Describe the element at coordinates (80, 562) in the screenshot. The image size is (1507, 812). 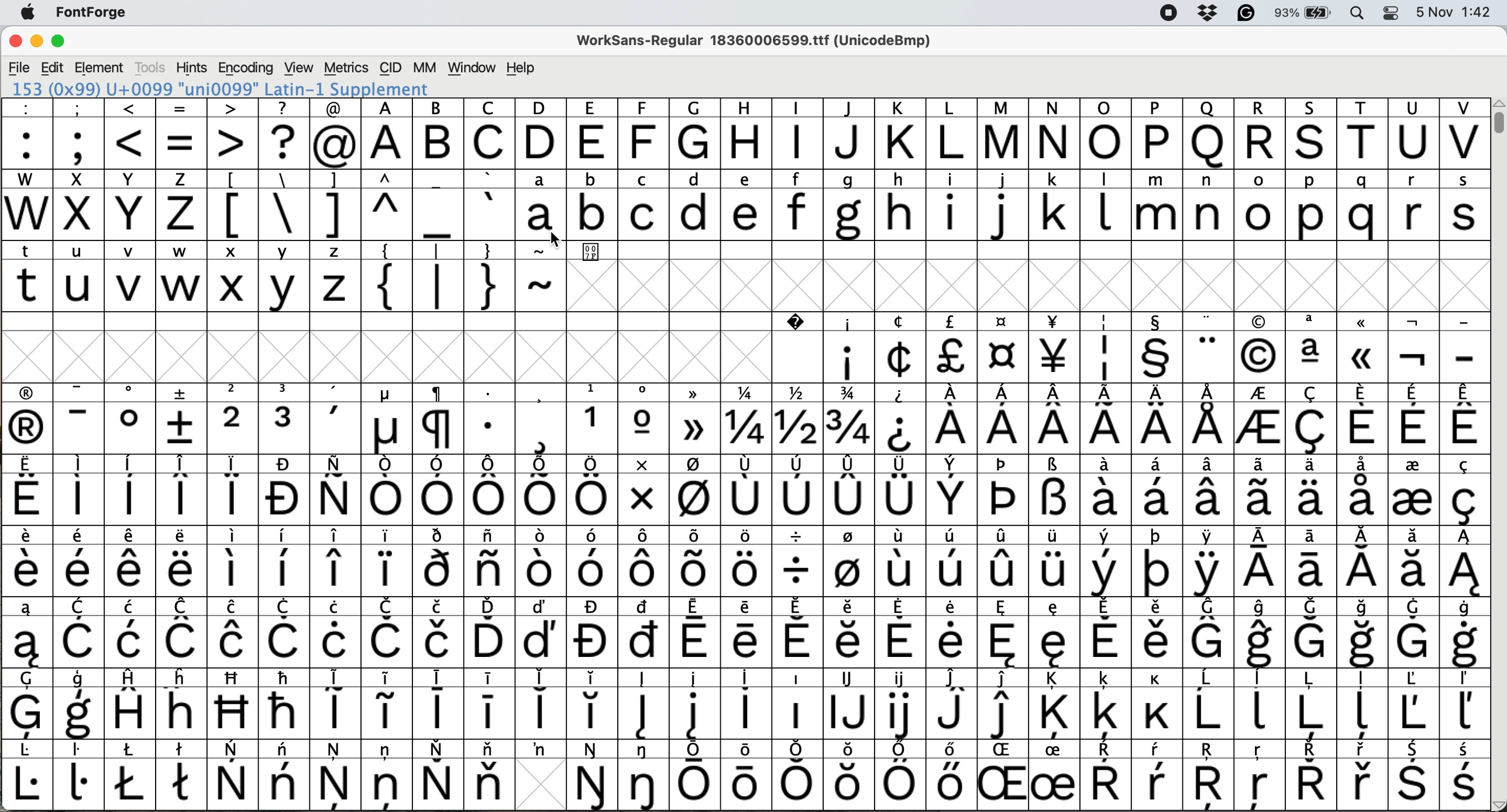
I see `symbol` at that location.